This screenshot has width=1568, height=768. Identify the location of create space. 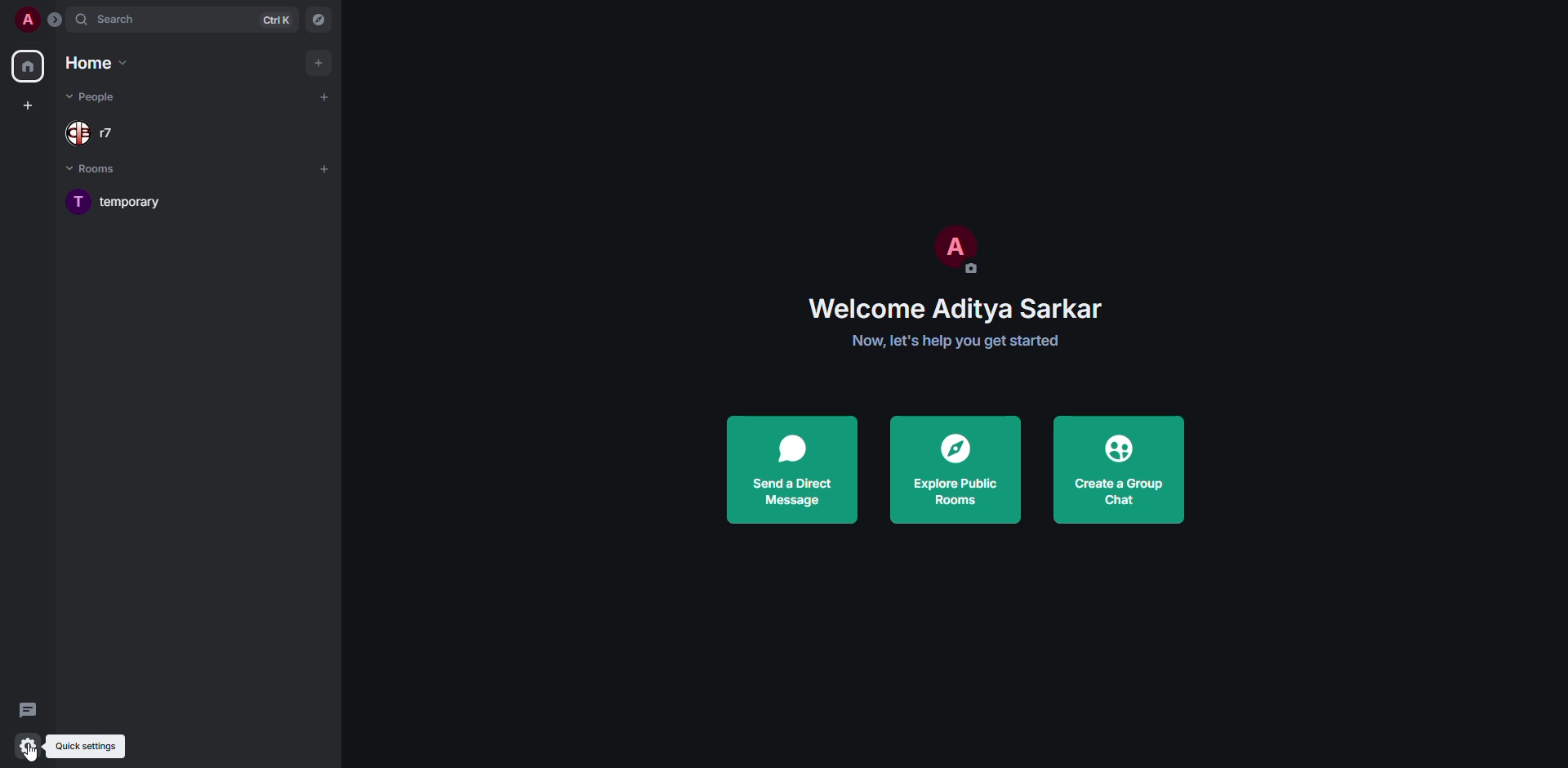
(25, 105).